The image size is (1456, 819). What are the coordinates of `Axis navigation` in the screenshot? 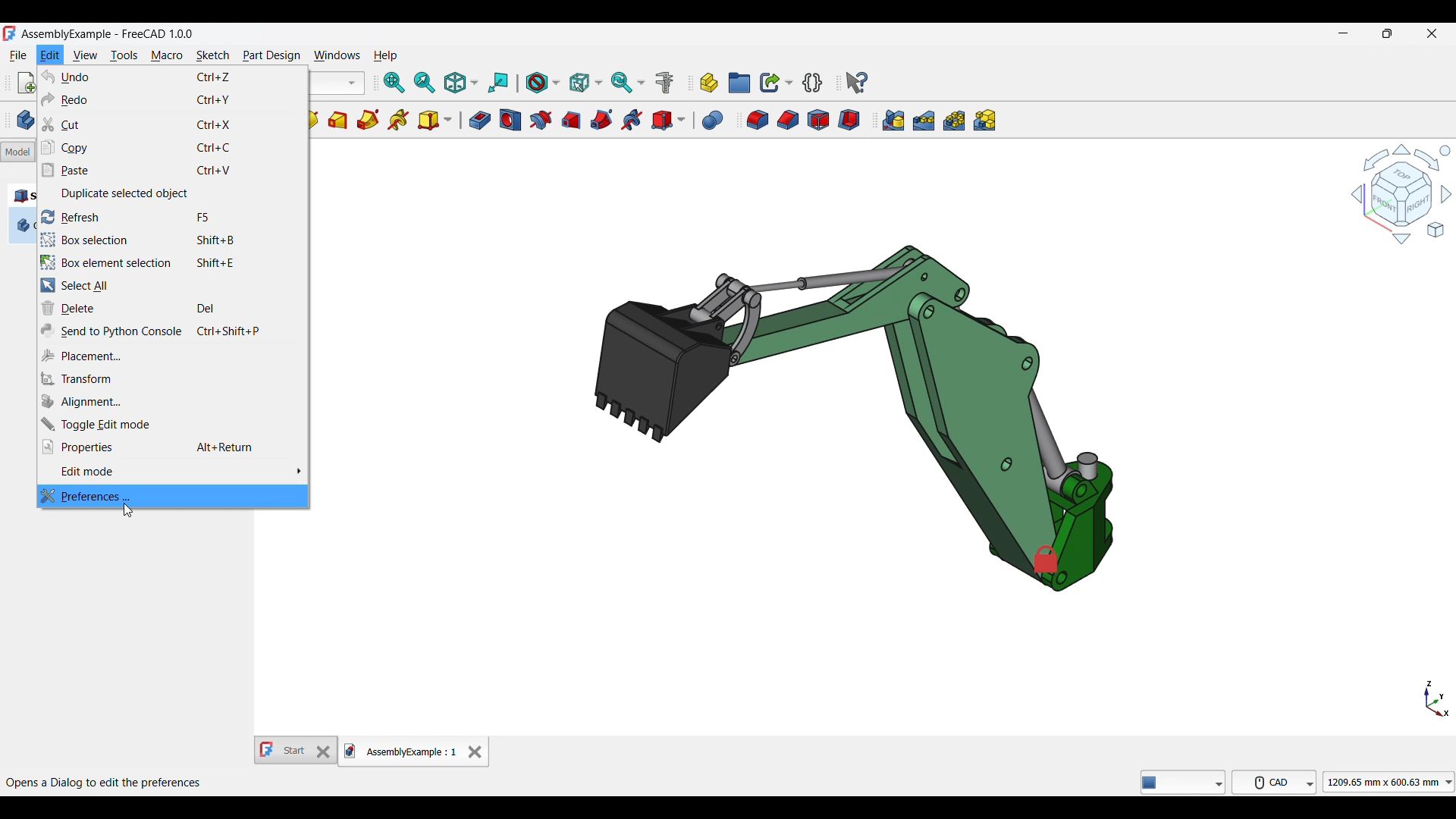 It's located at (1437, 698).